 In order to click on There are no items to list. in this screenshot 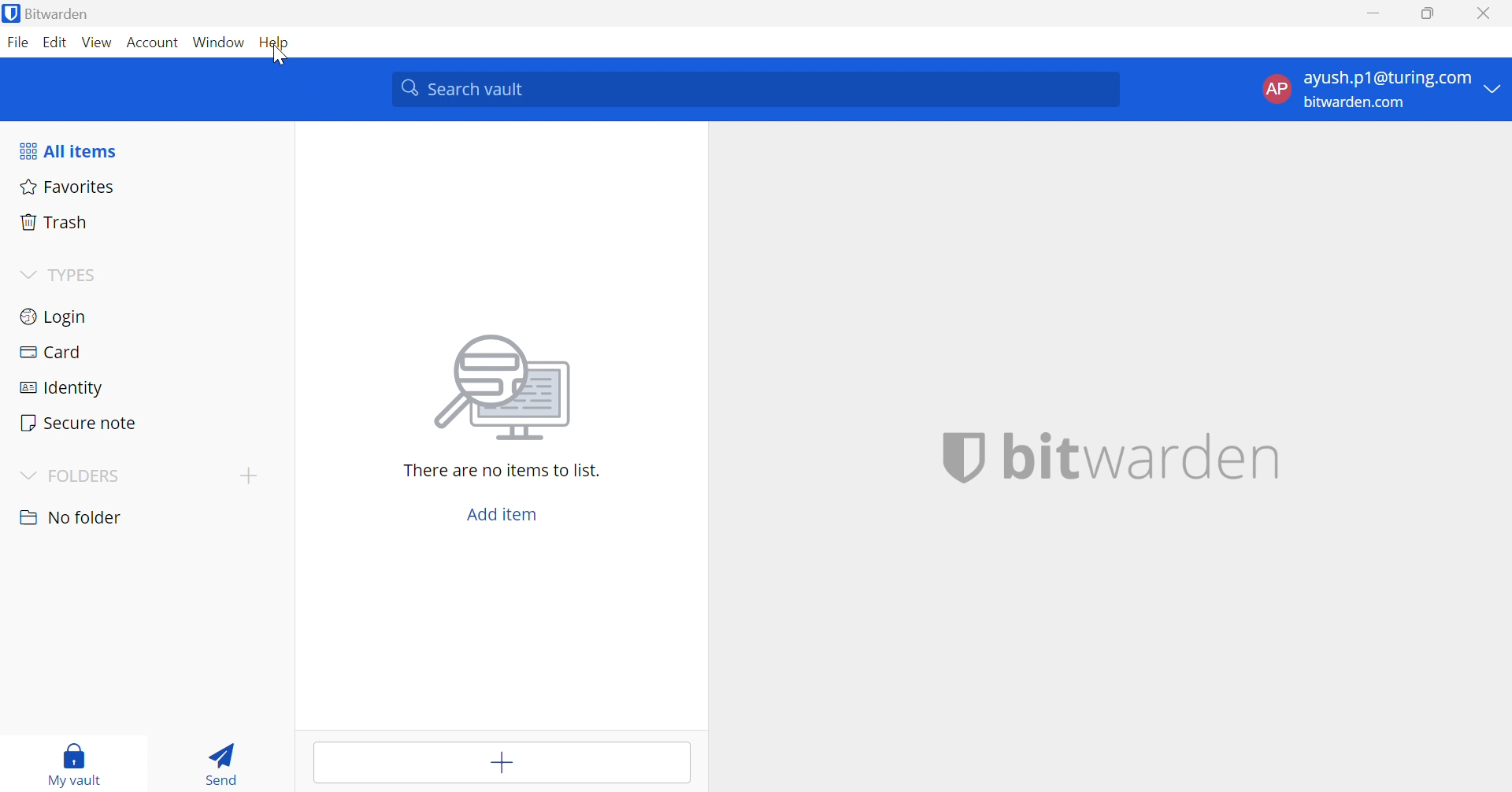, I will do `click(502, 469)`.